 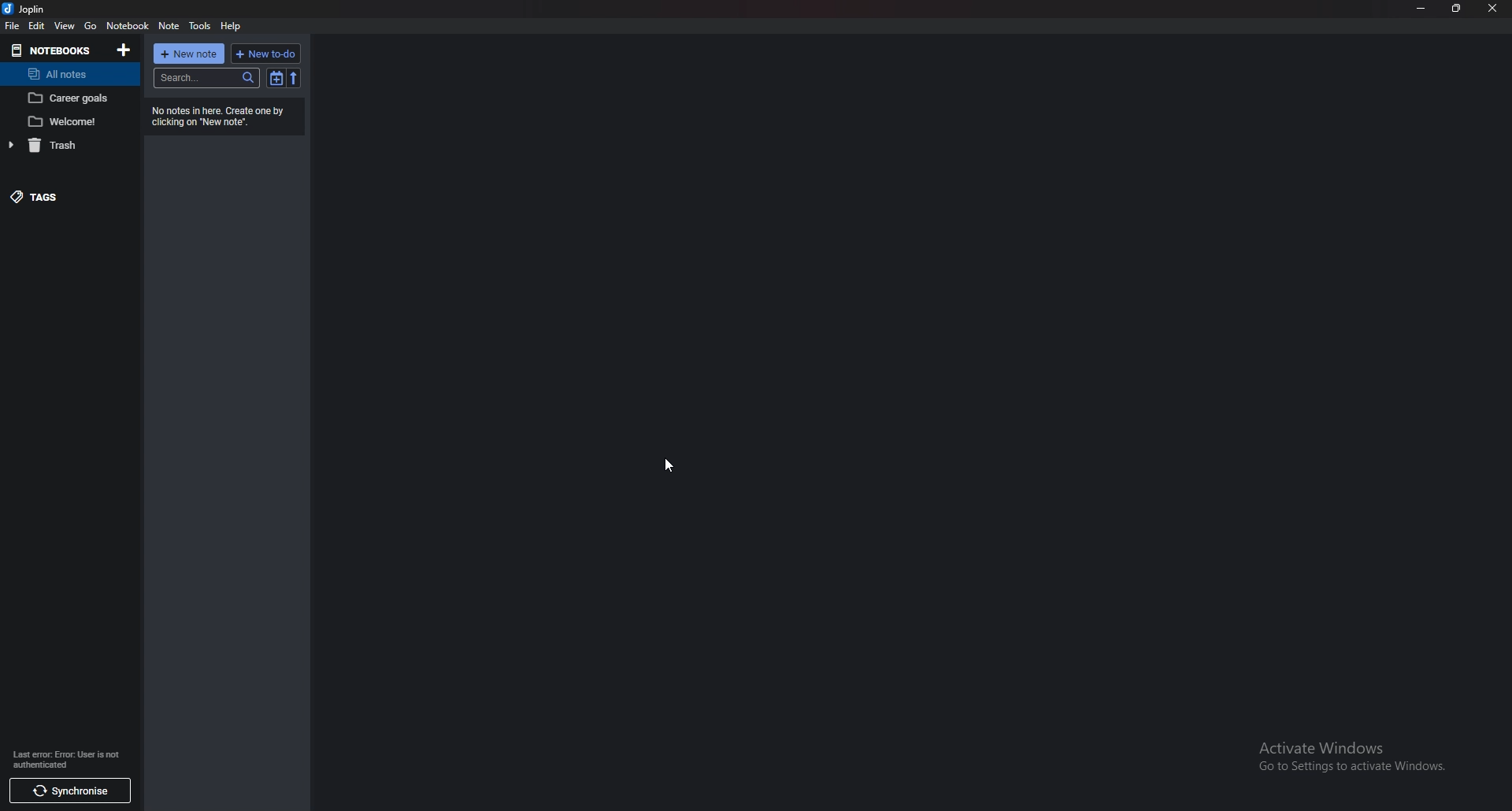 I want to click on Activate Windows, so click(x=1347, y=756).